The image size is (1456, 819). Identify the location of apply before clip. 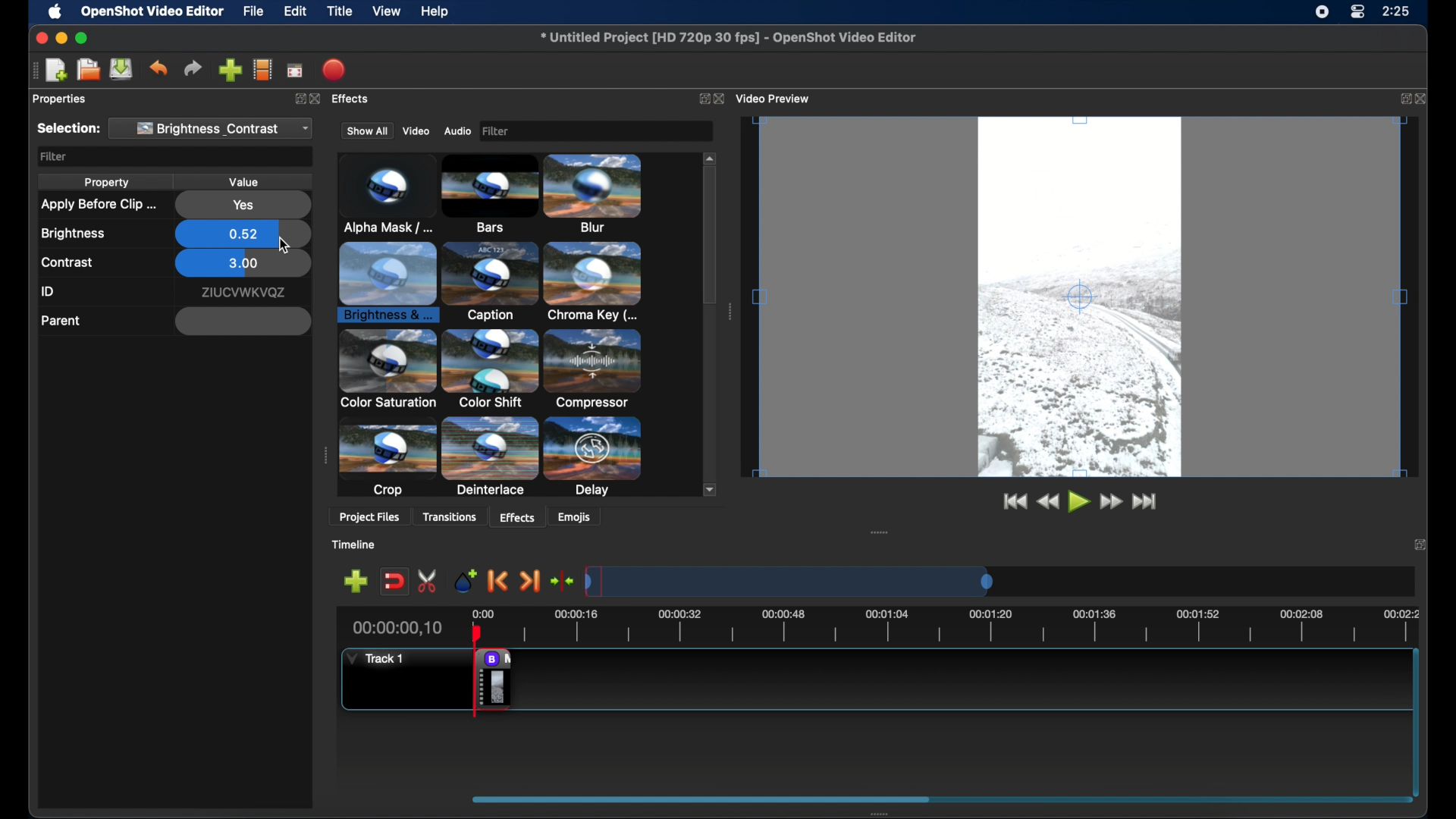
(97, 205).